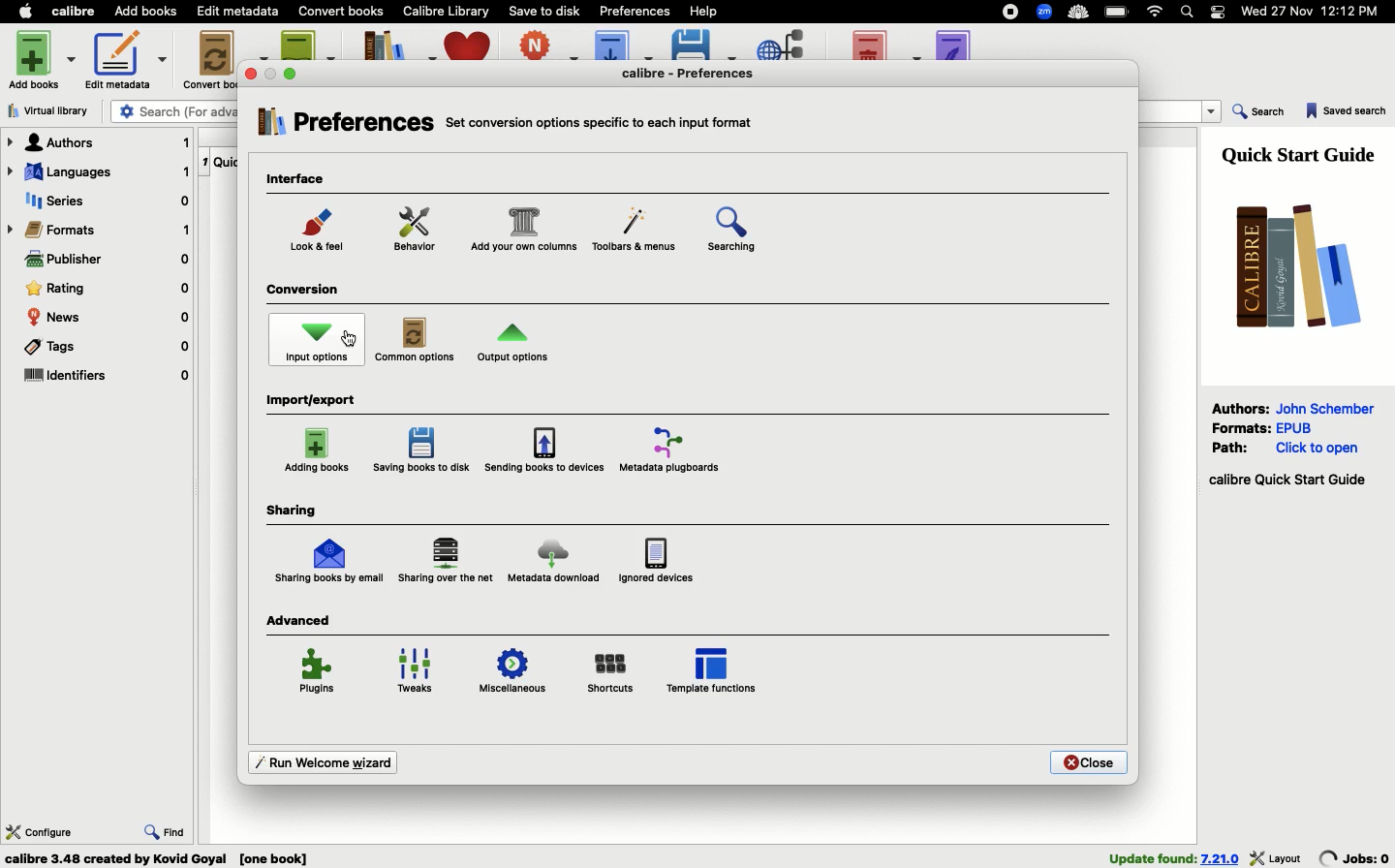  What do you see at coordinates (1213, 112) in the screenshot?
I see `dropdown` at bounding box center [1213, 112].